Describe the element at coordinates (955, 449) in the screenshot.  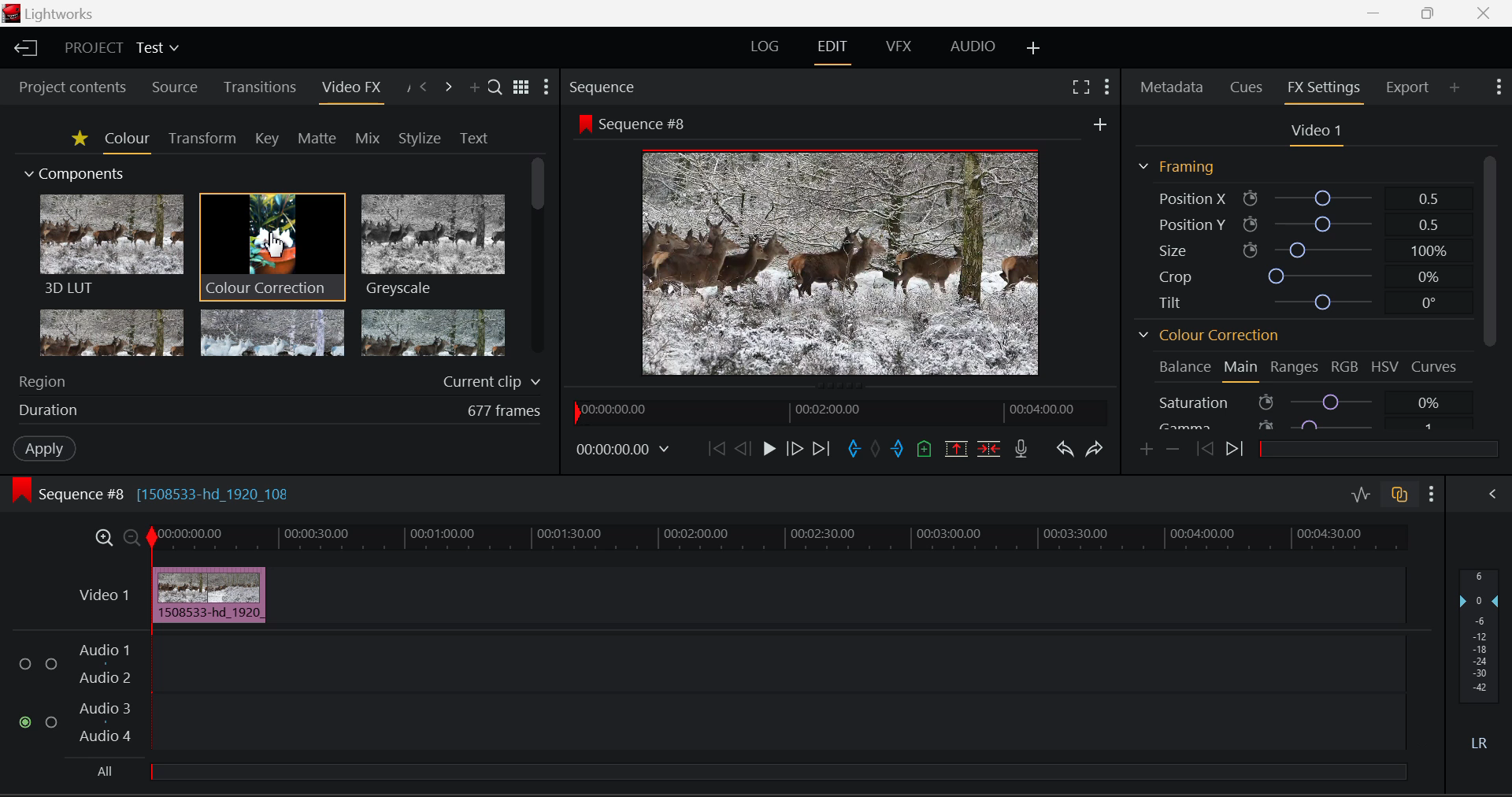
I see `Remove Marked Section` at that location.